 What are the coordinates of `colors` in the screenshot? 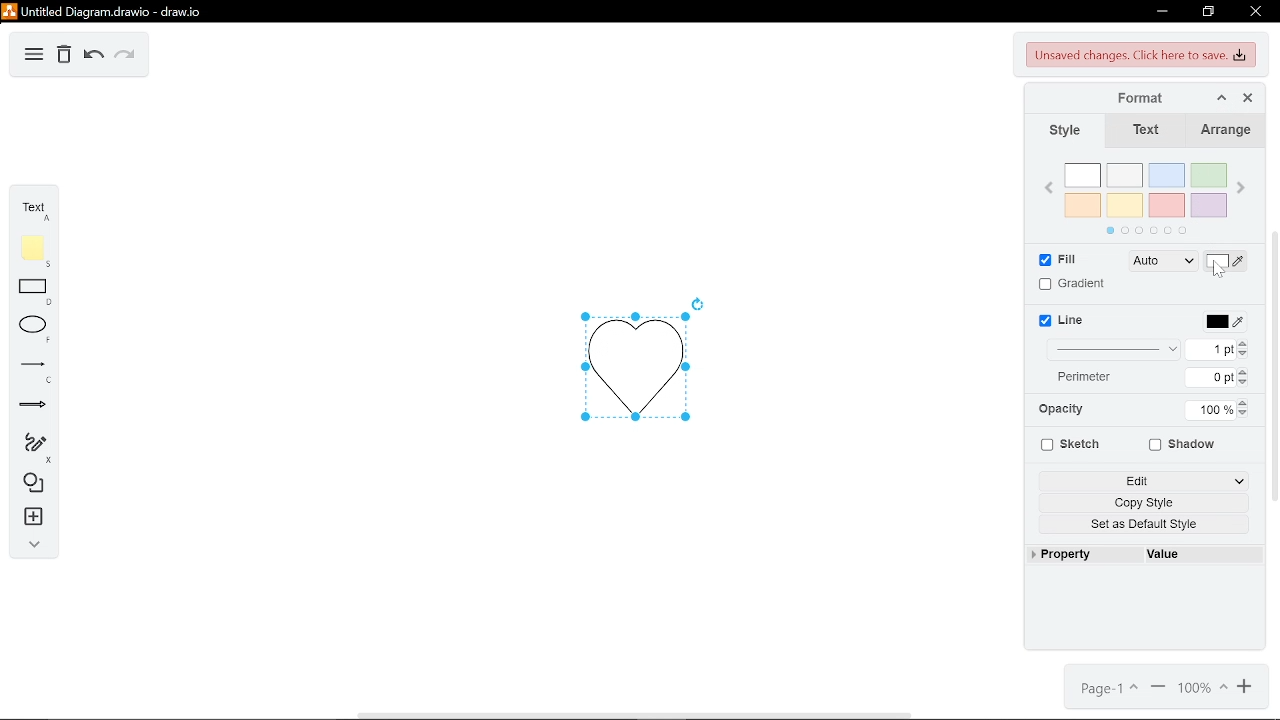 It's located at (1146, 196).